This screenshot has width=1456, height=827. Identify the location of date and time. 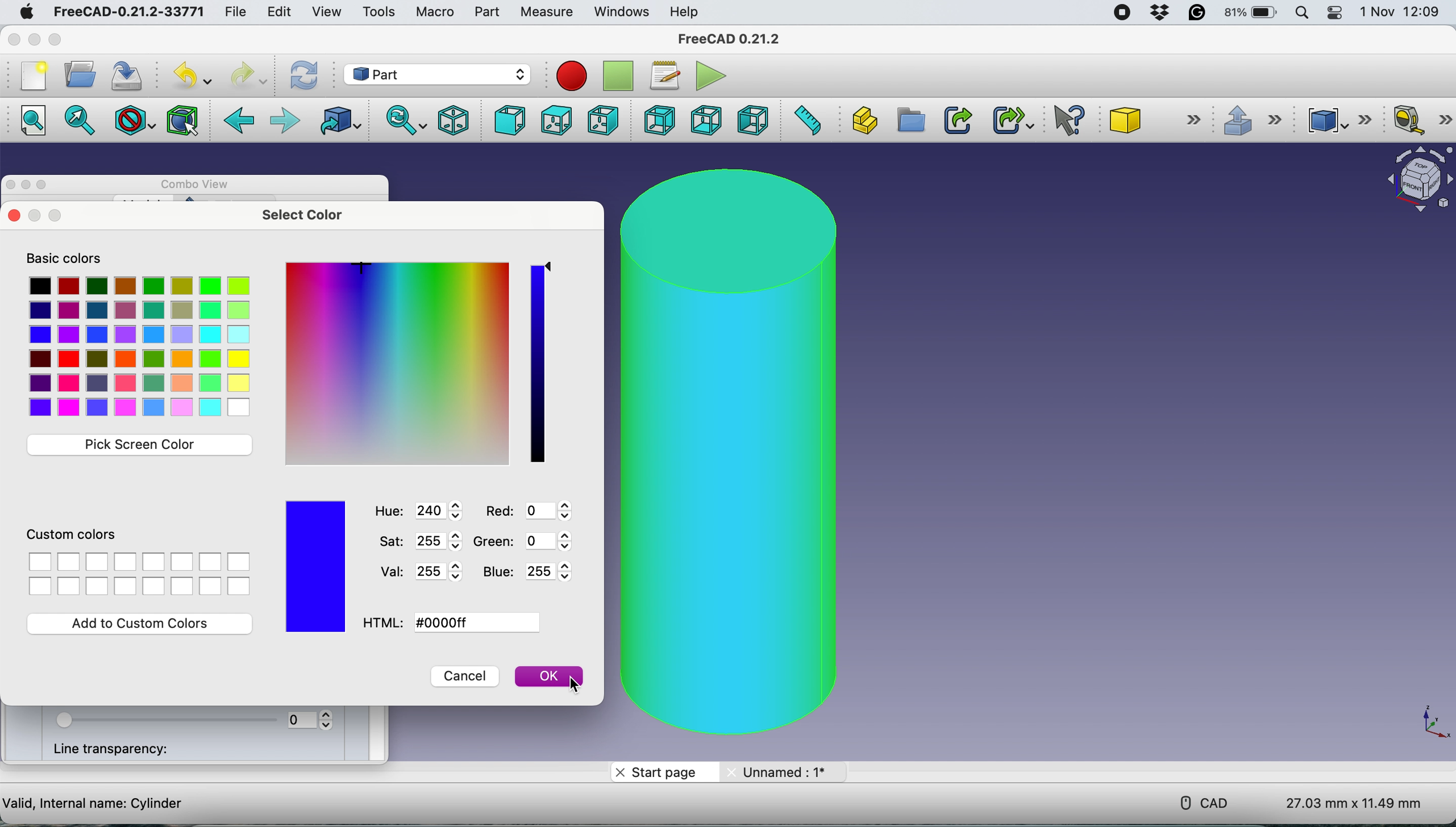
(1400, 12).